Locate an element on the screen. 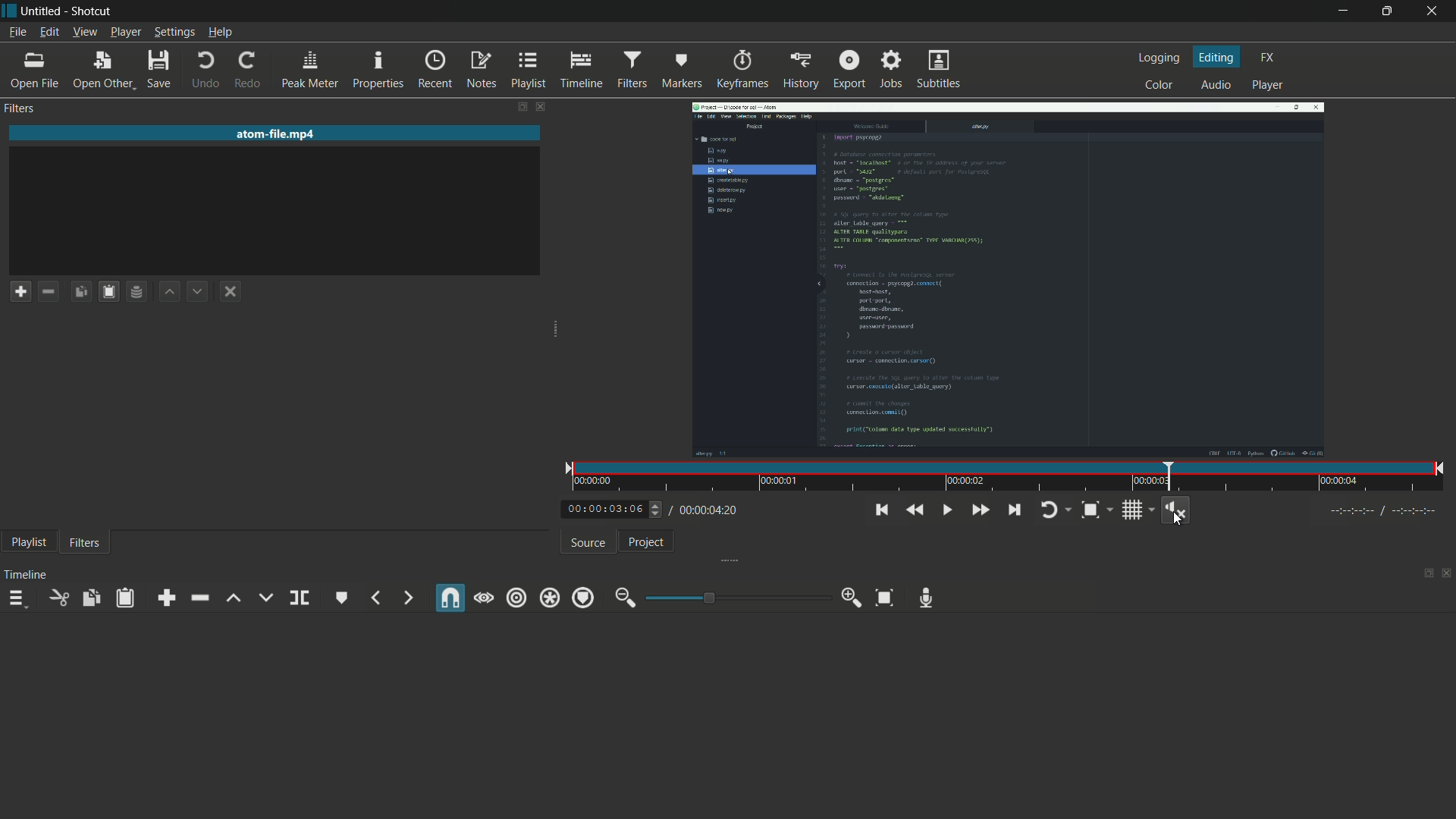 The image size is (1456, 819). atom-file.mp4 is located at coordinates (277, 133).